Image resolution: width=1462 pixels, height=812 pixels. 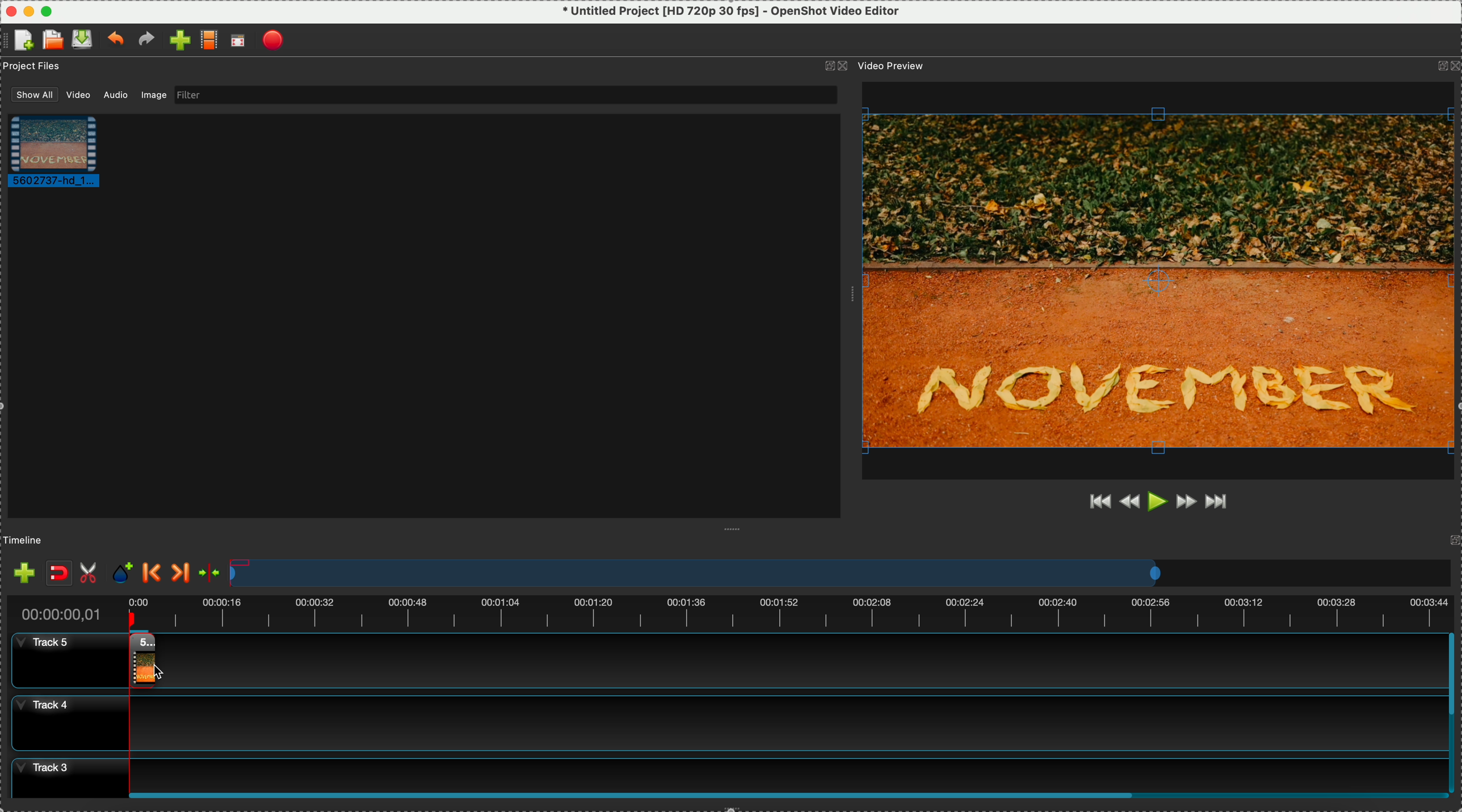 I want to click on timeline, so click(x=839, y=573).